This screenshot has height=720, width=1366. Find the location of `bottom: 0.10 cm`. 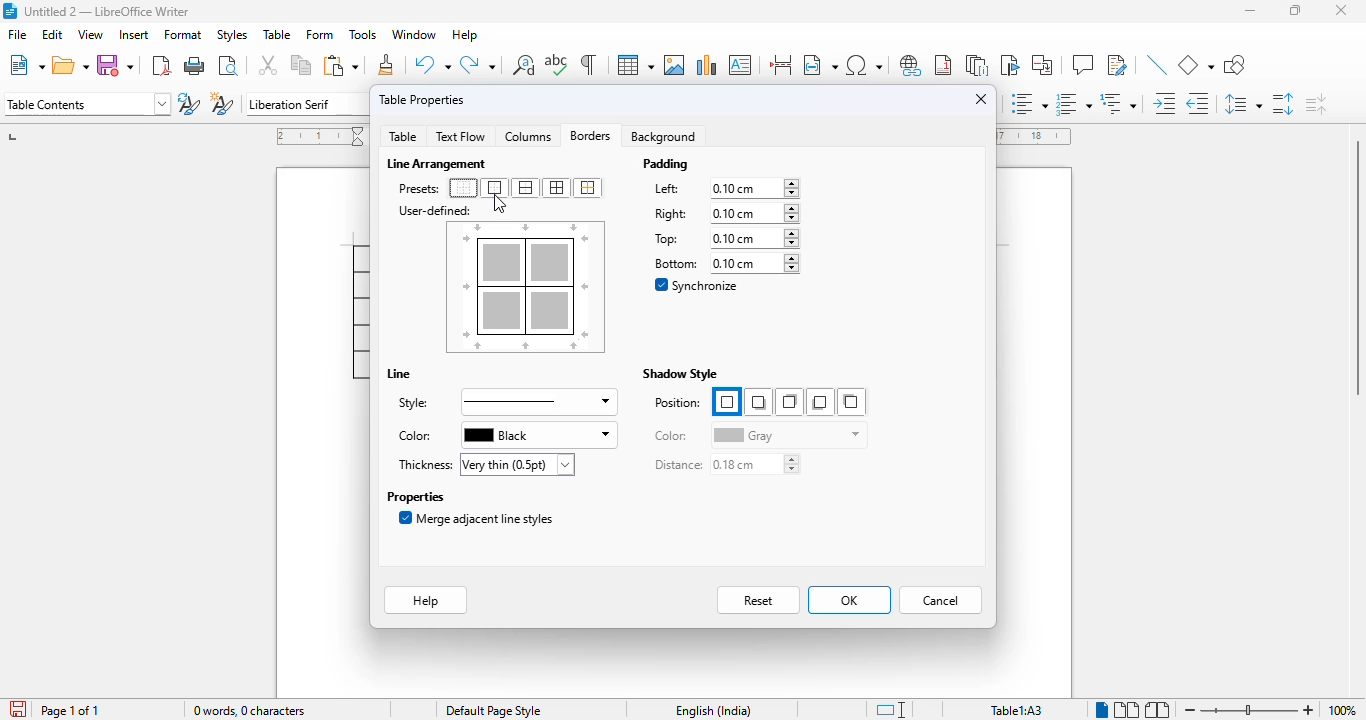

bottom: 0.10 cm is located at coordinates (724, 263).